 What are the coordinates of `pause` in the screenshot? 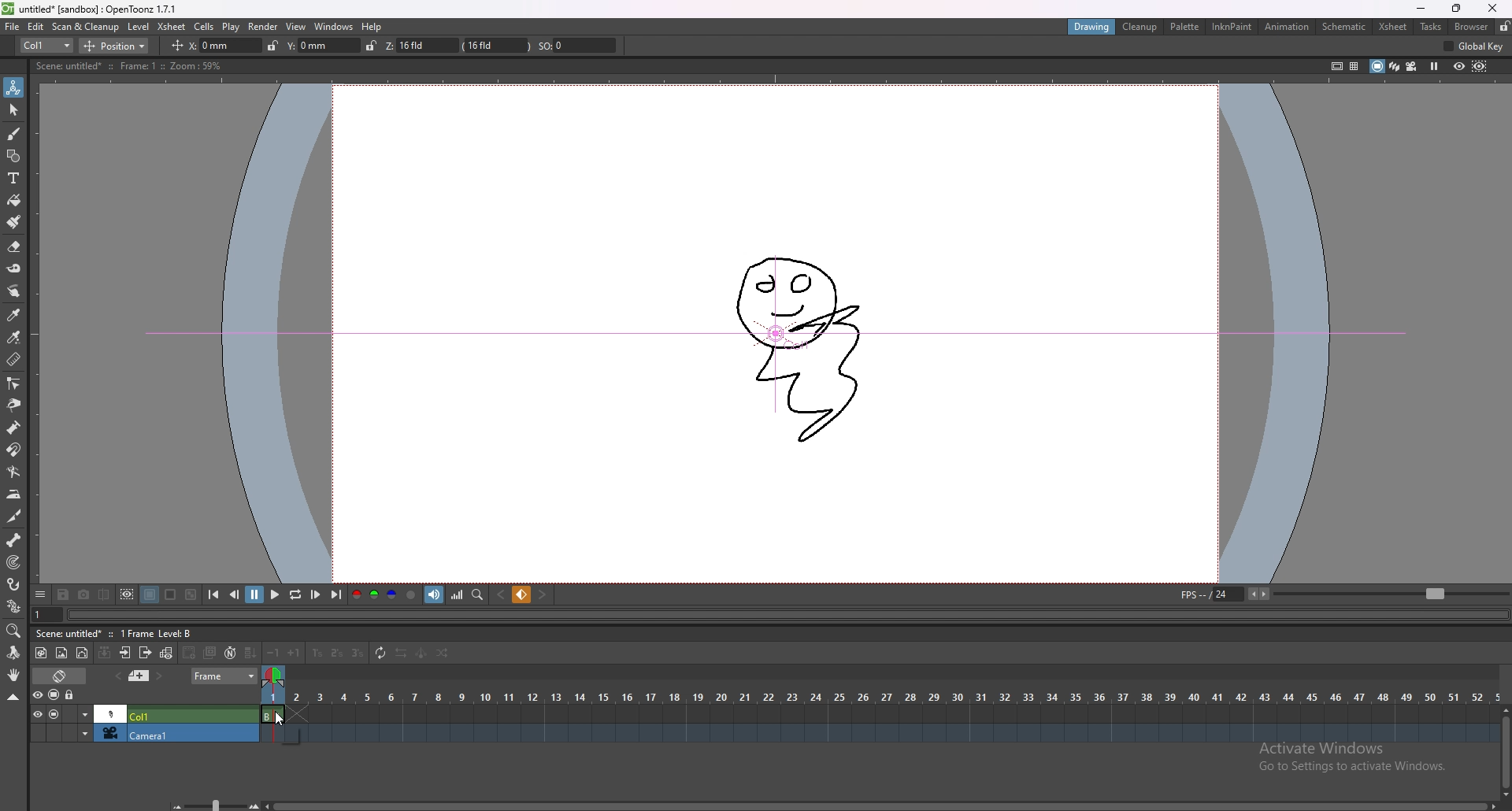 It's located at (254, 594).